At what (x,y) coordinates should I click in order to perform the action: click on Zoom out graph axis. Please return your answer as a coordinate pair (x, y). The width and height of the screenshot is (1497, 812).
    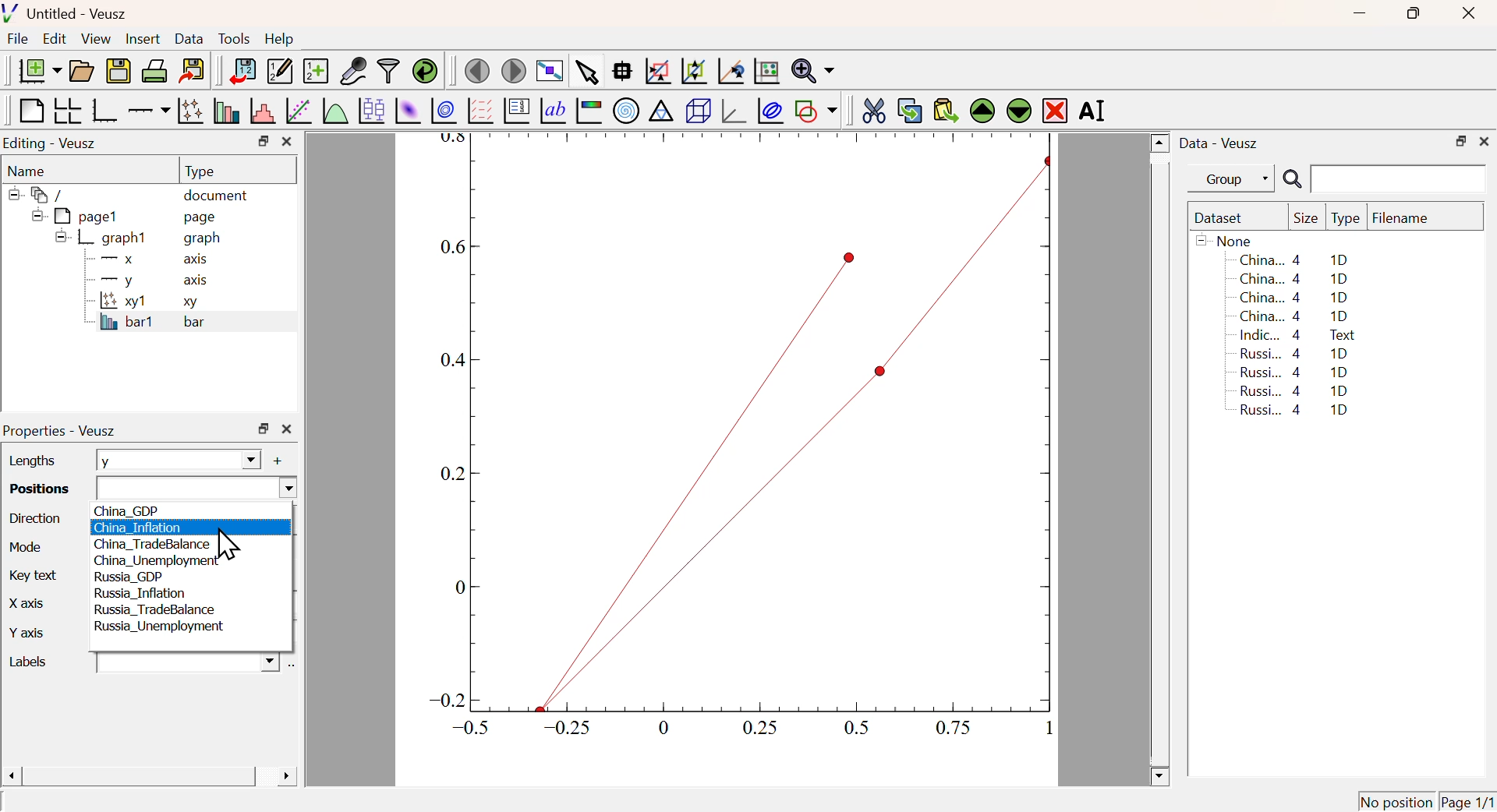
    Looking at the image, I should click on (693, 69).